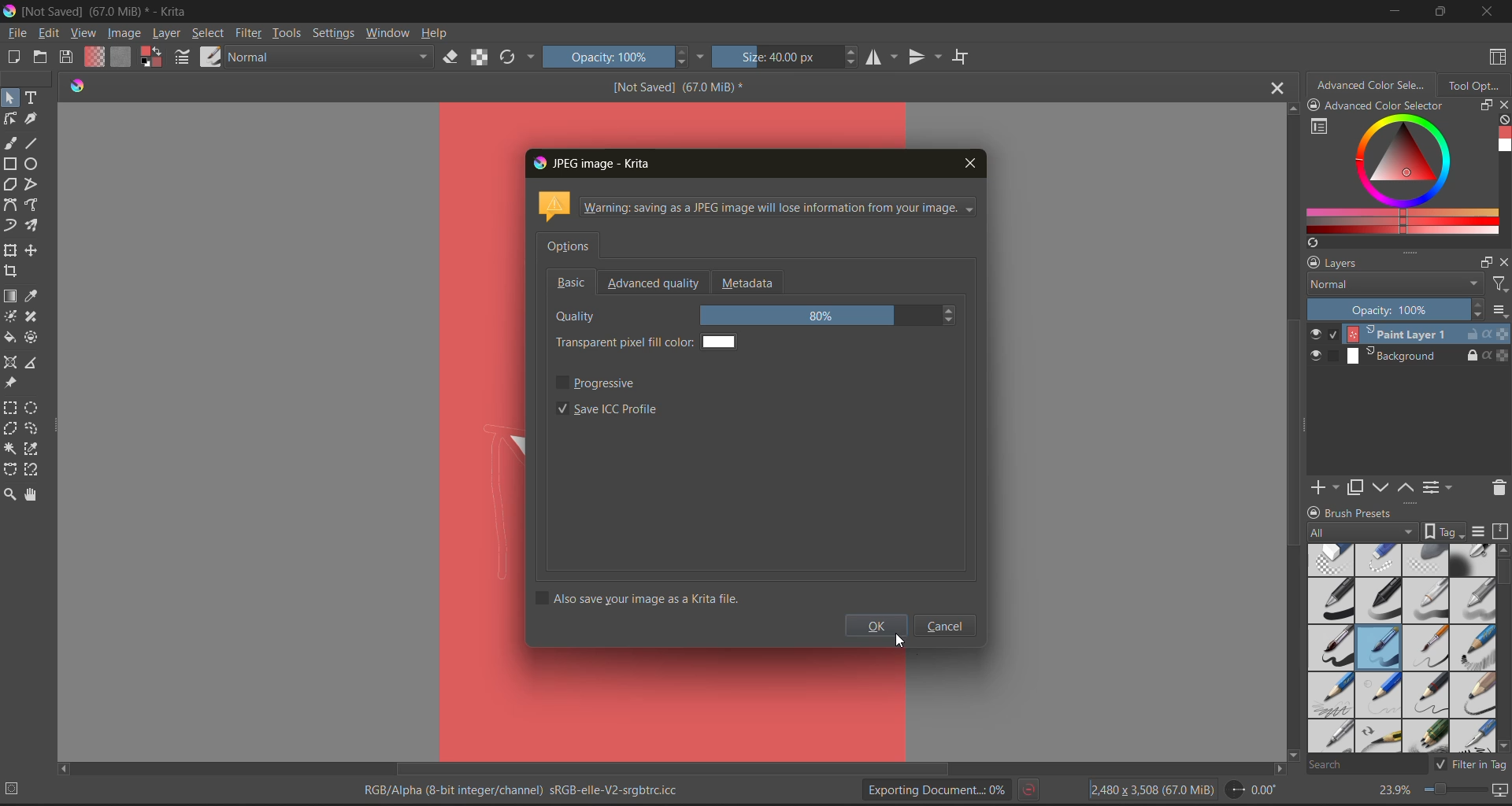  I want to click on tools, so click(9, 141).